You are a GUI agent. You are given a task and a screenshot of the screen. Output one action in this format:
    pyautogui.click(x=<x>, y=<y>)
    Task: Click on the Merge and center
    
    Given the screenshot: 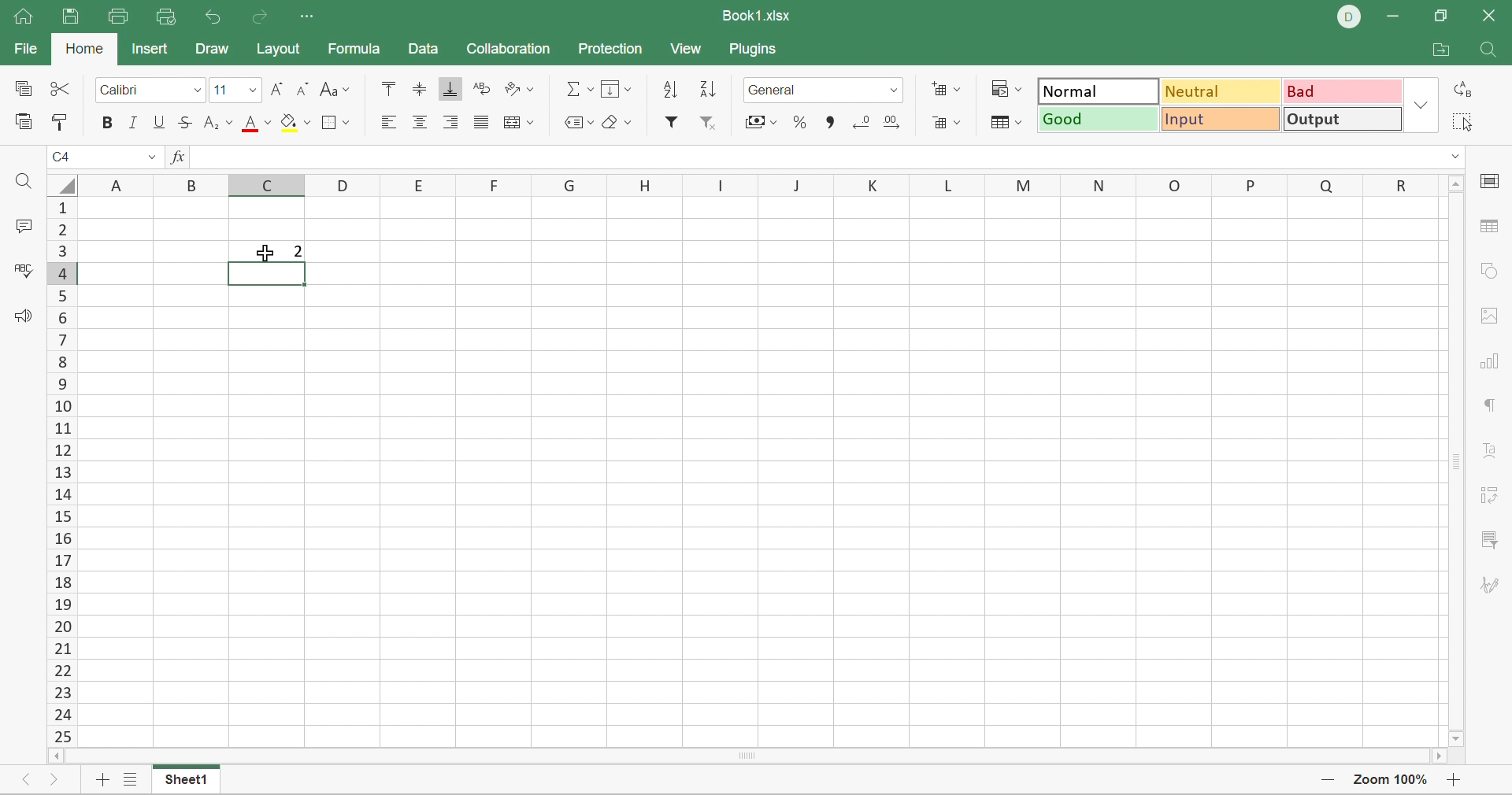 What is the action you would take?
    pyautogui.click(x=521, y=122)
    